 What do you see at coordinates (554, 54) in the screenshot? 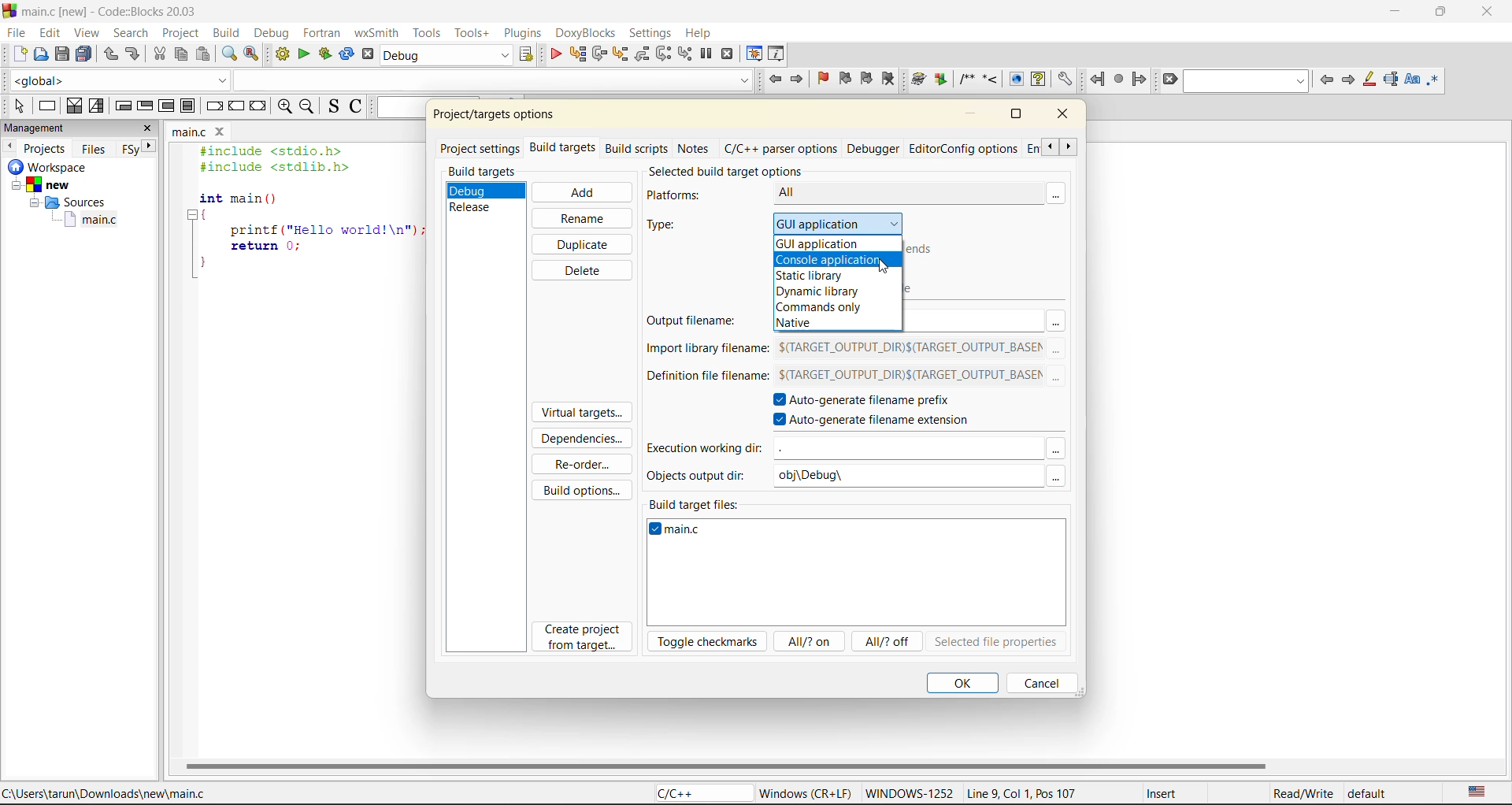
I see `debug` at bounding box center [554, 54].